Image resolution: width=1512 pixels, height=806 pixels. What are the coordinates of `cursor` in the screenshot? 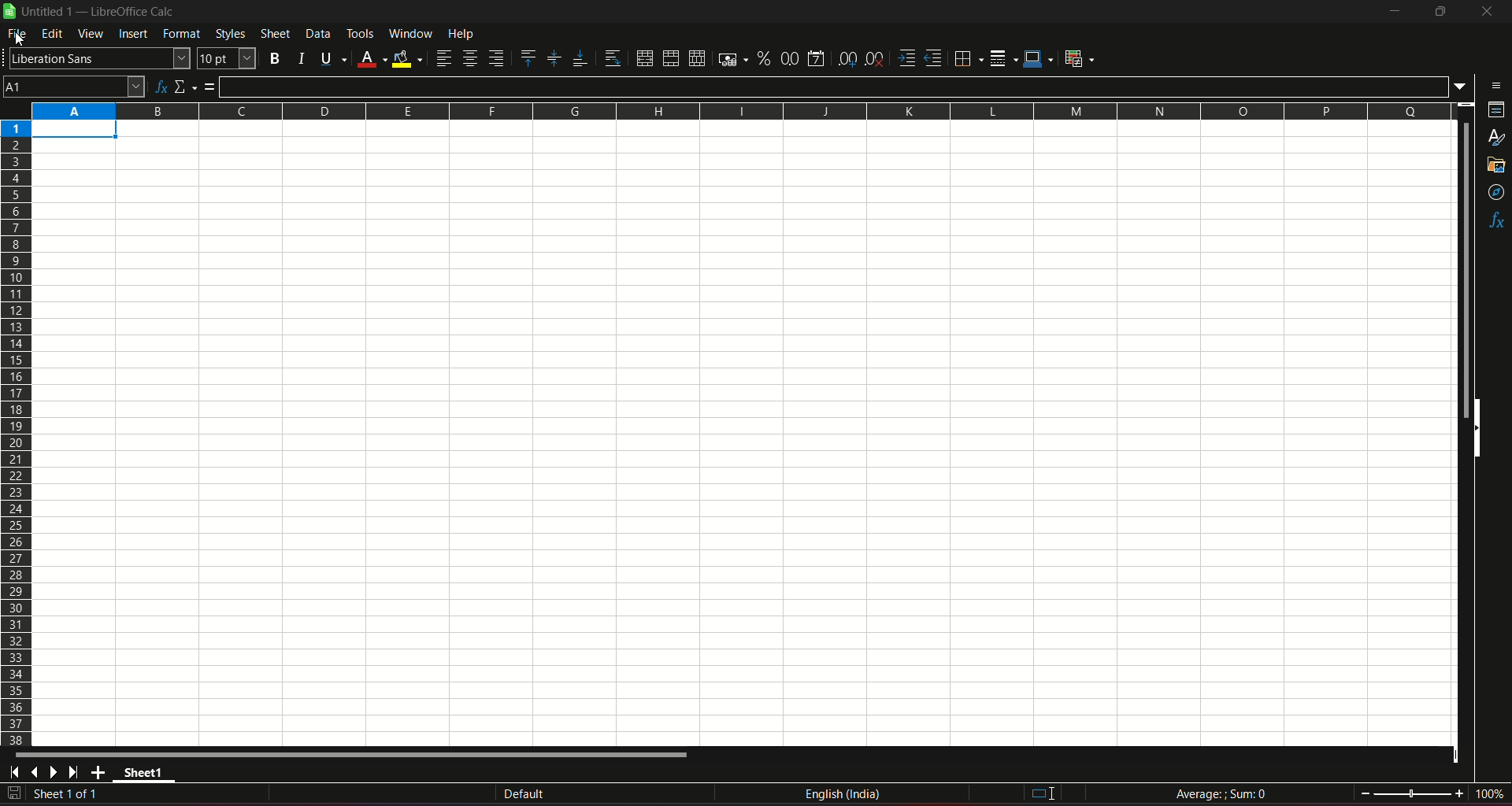 It's located at (23, 42).